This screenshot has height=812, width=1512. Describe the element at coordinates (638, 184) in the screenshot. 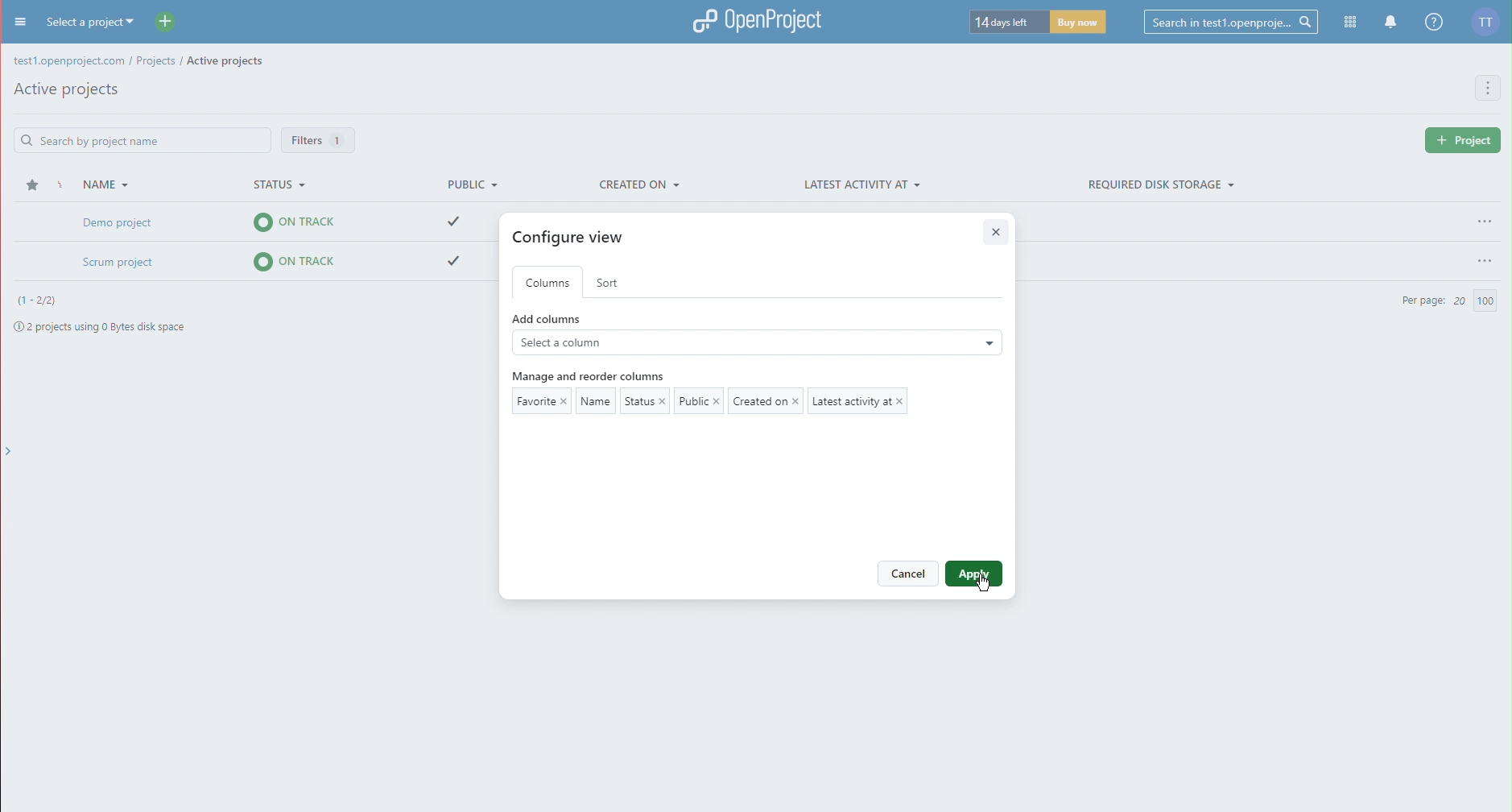

I see `Created On` at that location.